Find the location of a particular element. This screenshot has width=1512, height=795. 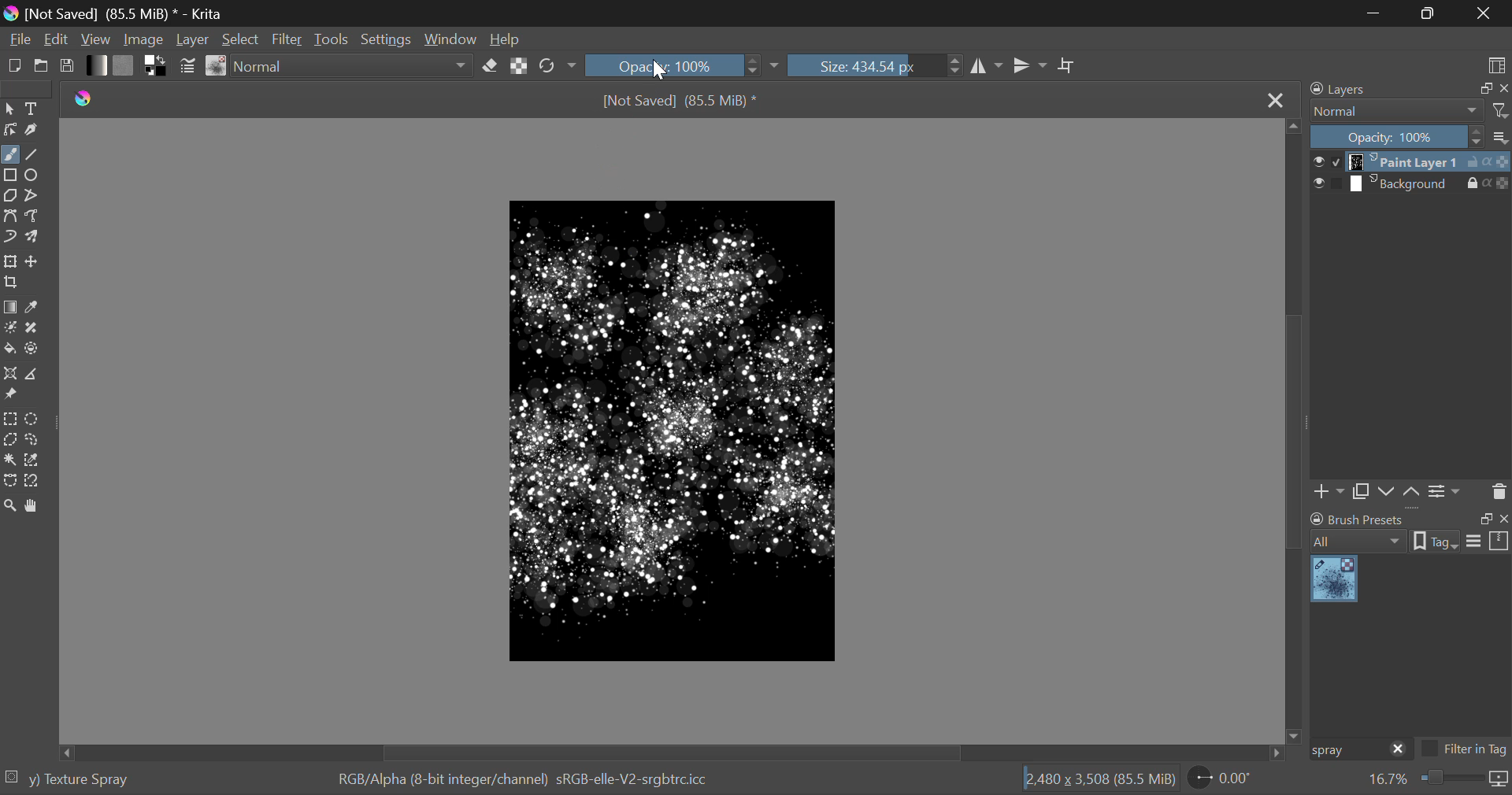

Eraser is located at coordinates (490, 66).